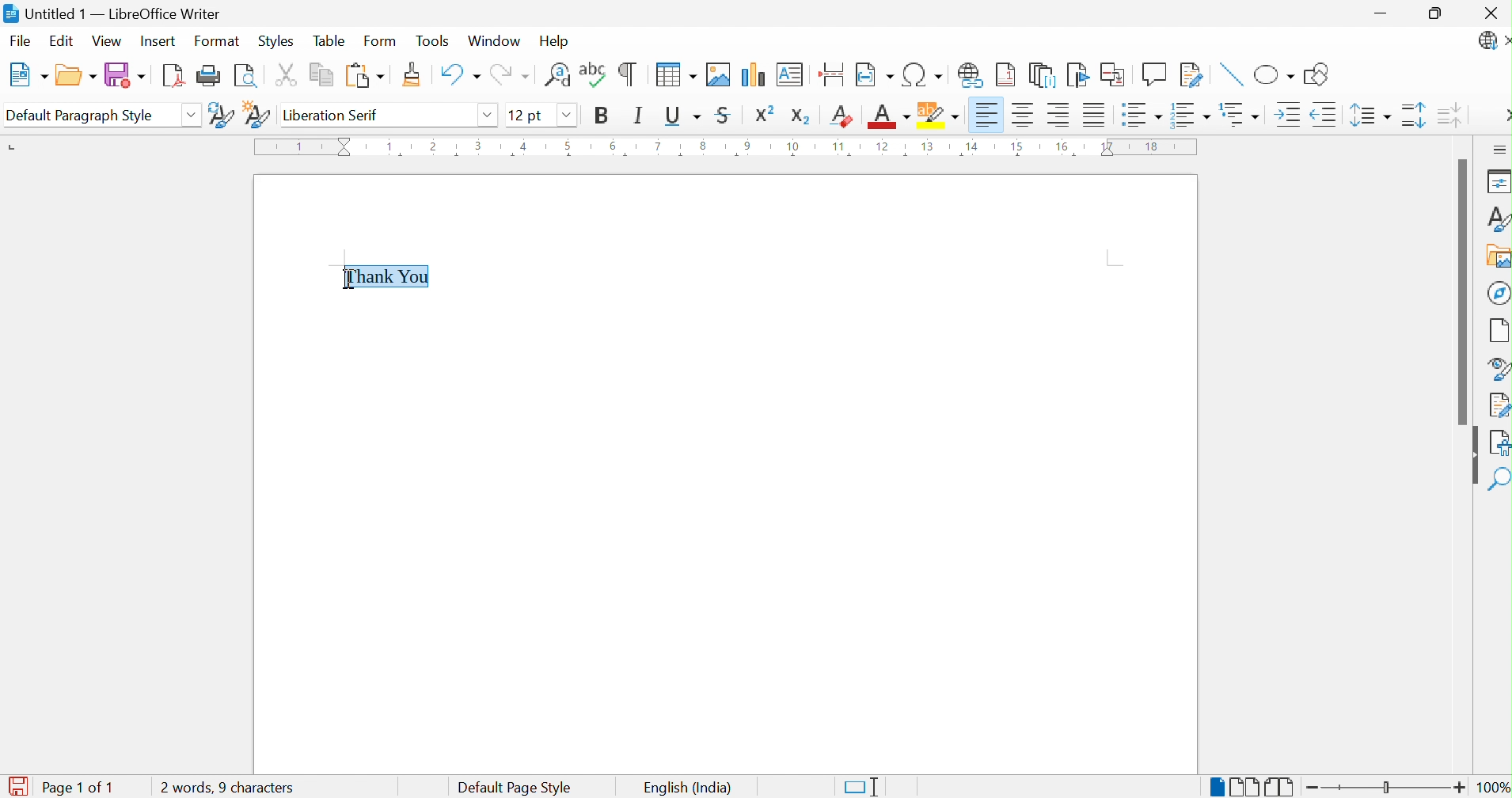 This screenshot has height=798, width=1512. Describe the element at coordinates (566, 116) in the screenshot. I see `Drop Down` at that location.